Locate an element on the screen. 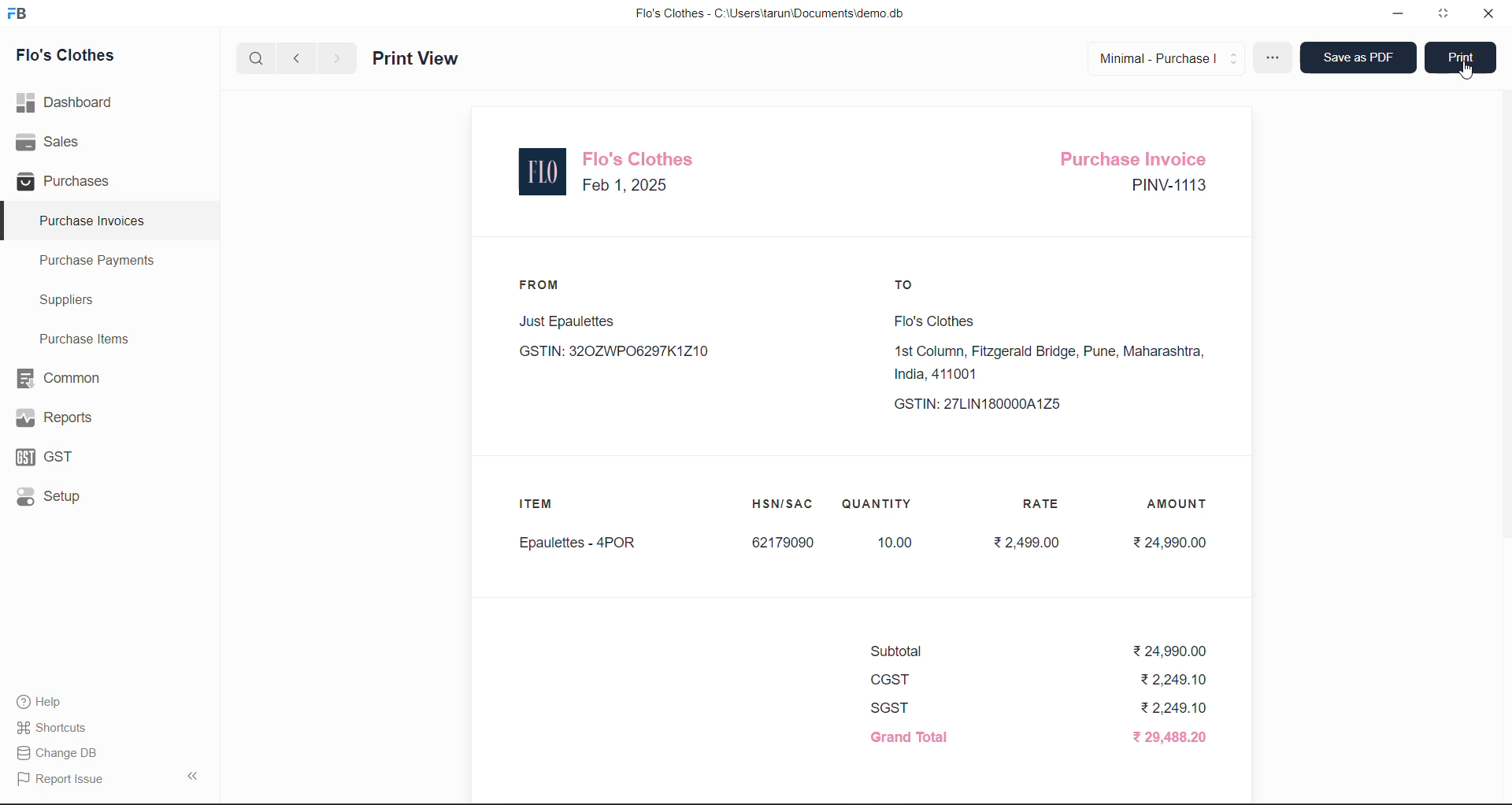 The image size is (1512, 805). Purchase Invoices is located at coordinates (93, 221).